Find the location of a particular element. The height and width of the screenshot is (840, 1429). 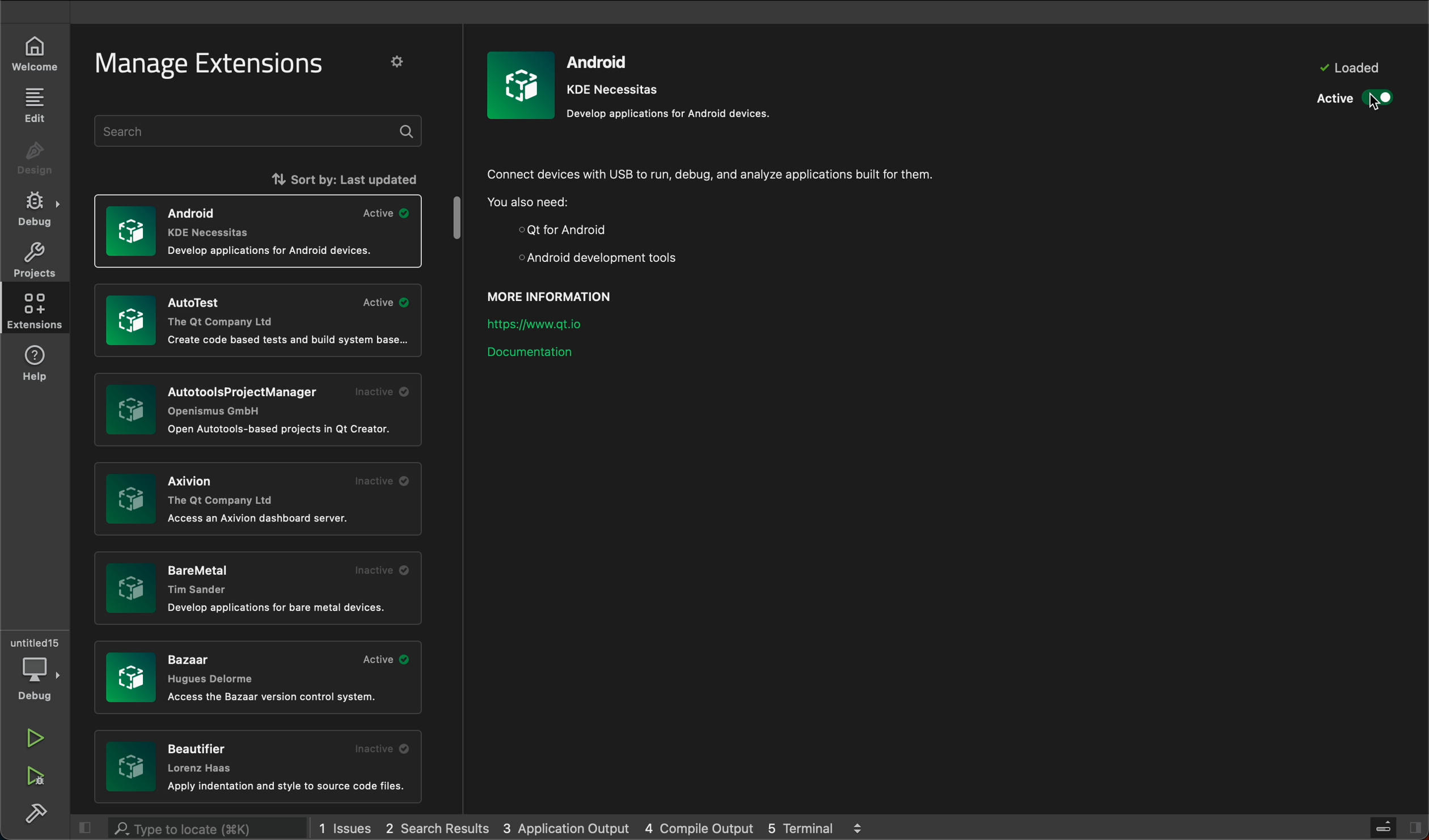

hel is located at coordinates (40, 363).